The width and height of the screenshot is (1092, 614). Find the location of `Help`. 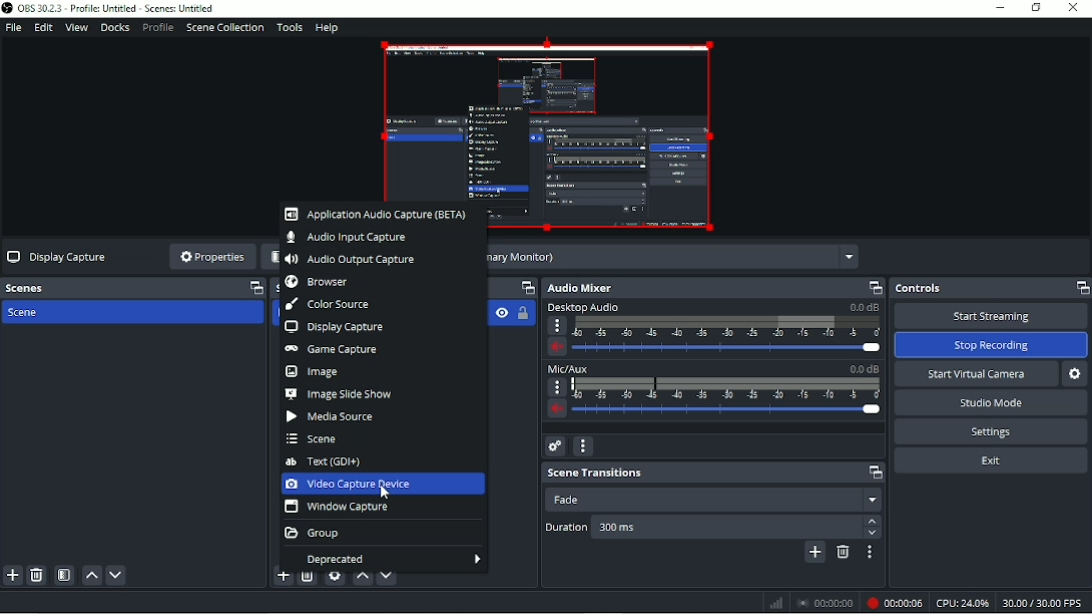

Help is located at coordinates (327, 29).